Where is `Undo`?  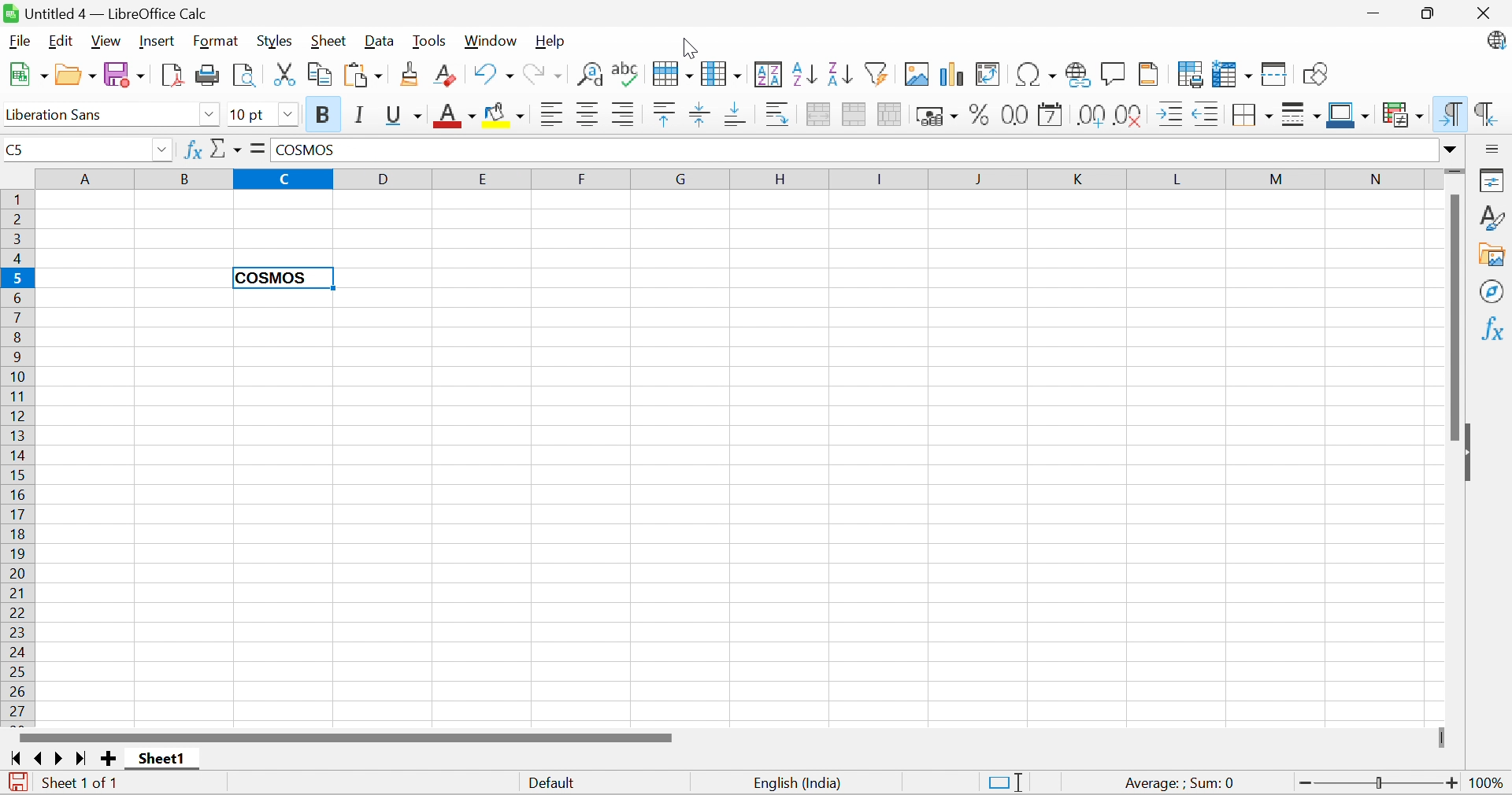
Undo is located at coordinates (494, 74).